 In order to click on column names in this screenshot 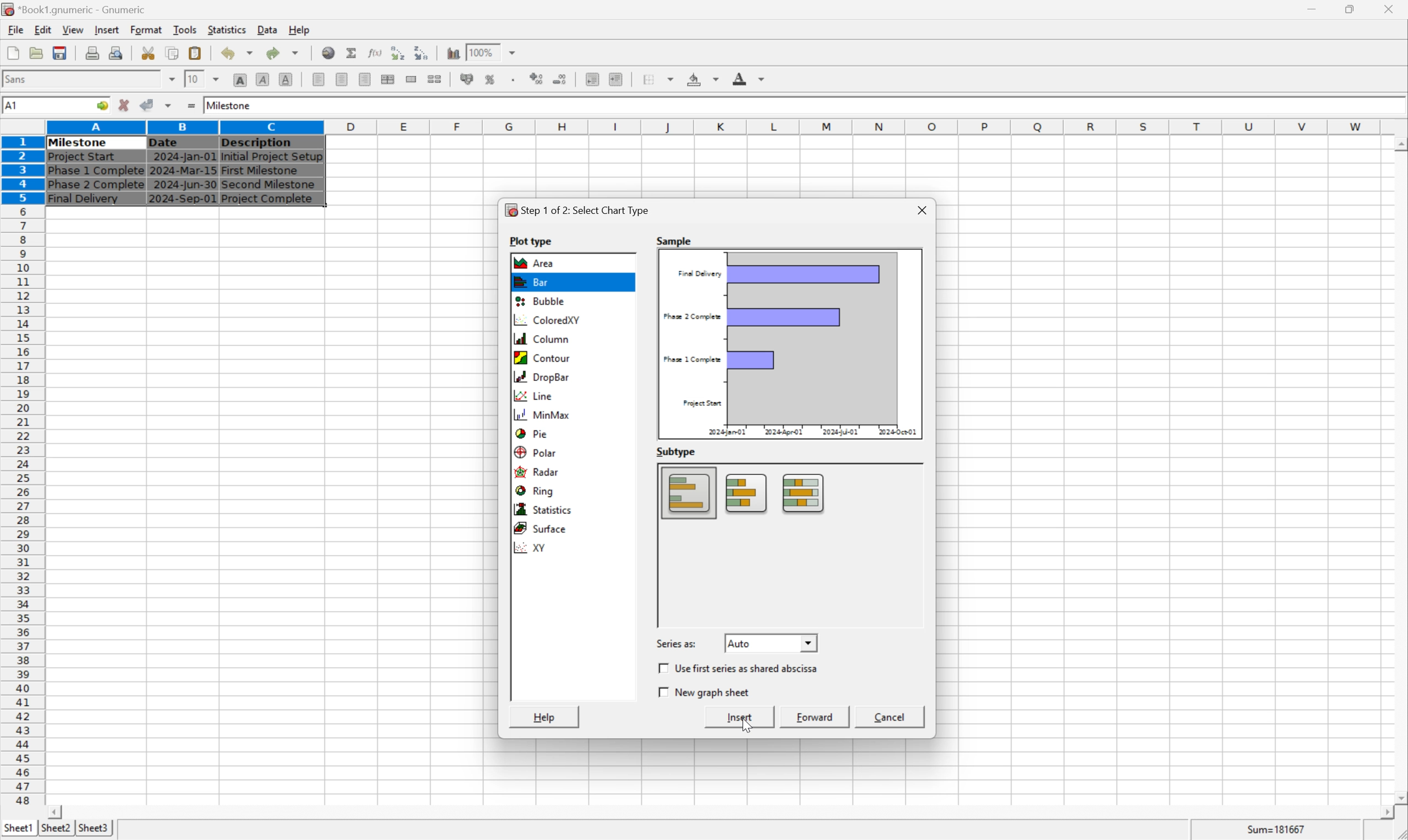, I will do `click(716, 126)`.